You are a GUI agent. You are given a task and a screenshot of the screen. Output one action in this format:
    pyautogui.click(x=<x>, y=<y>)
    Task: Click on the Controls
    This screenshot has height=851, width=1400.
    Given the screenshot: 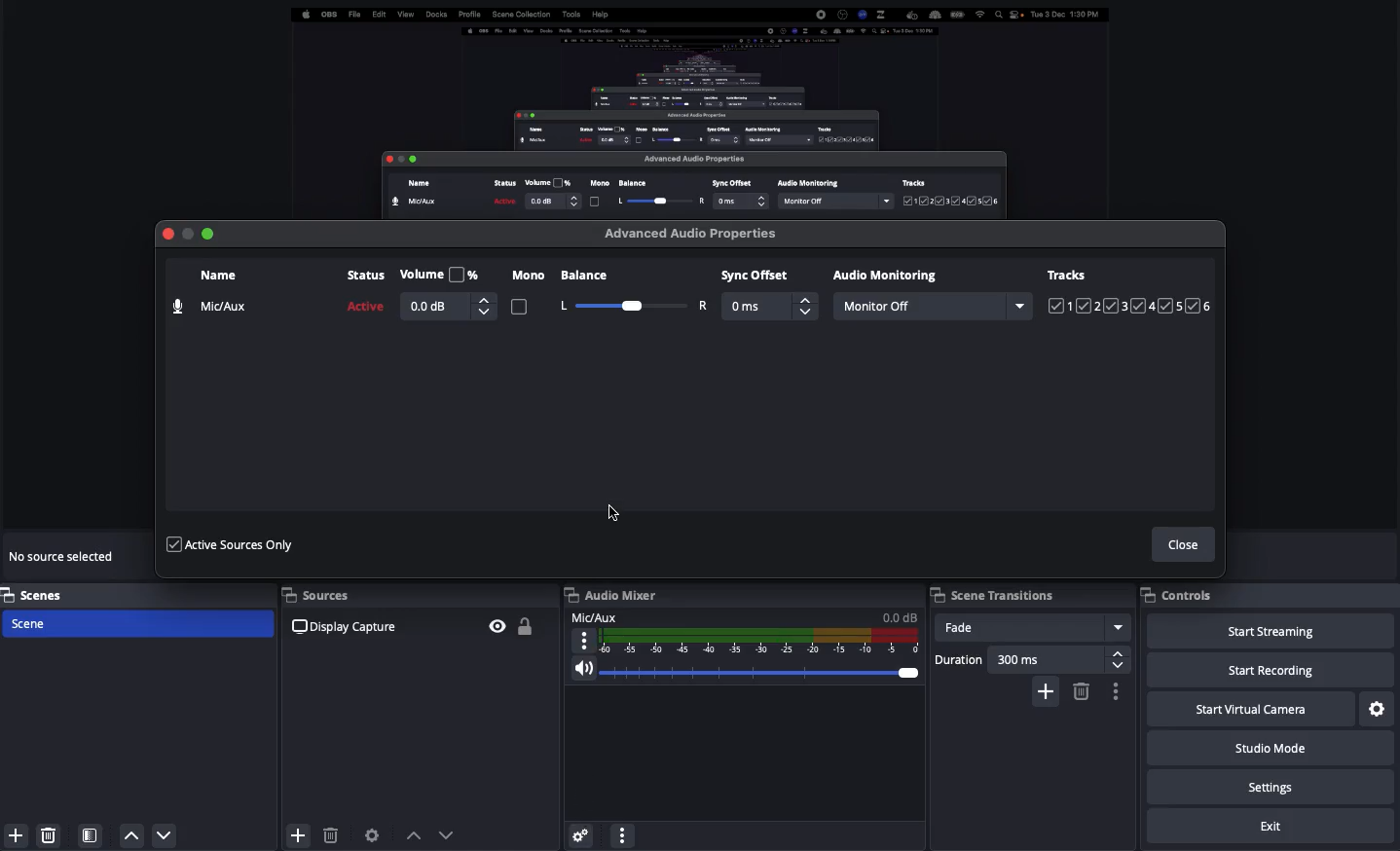 What is the action you would take?
    pyautogui.click(x=1177, y=594)
    